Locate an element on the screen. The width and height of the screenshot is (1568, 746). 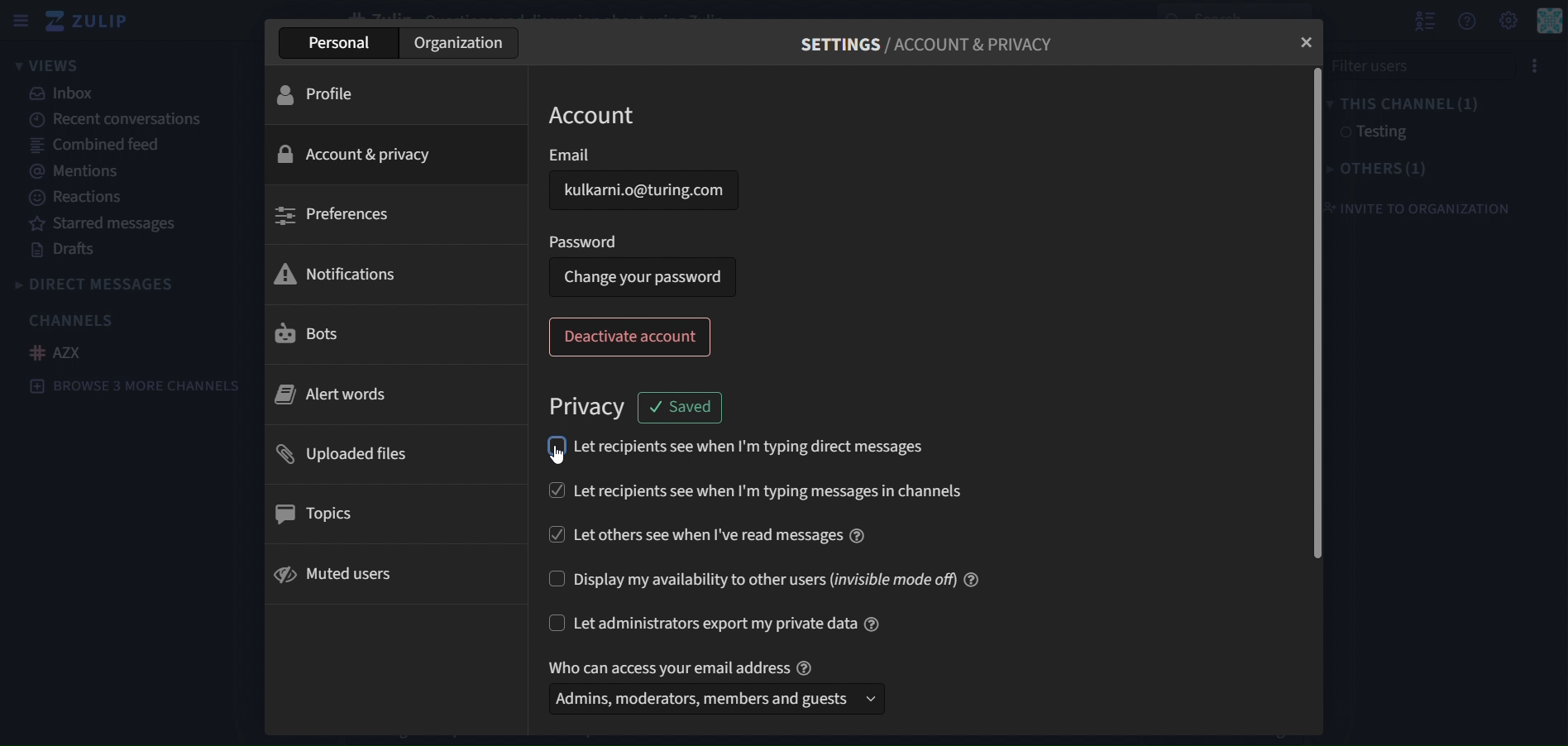
bots is located at coordinates (317, 334).